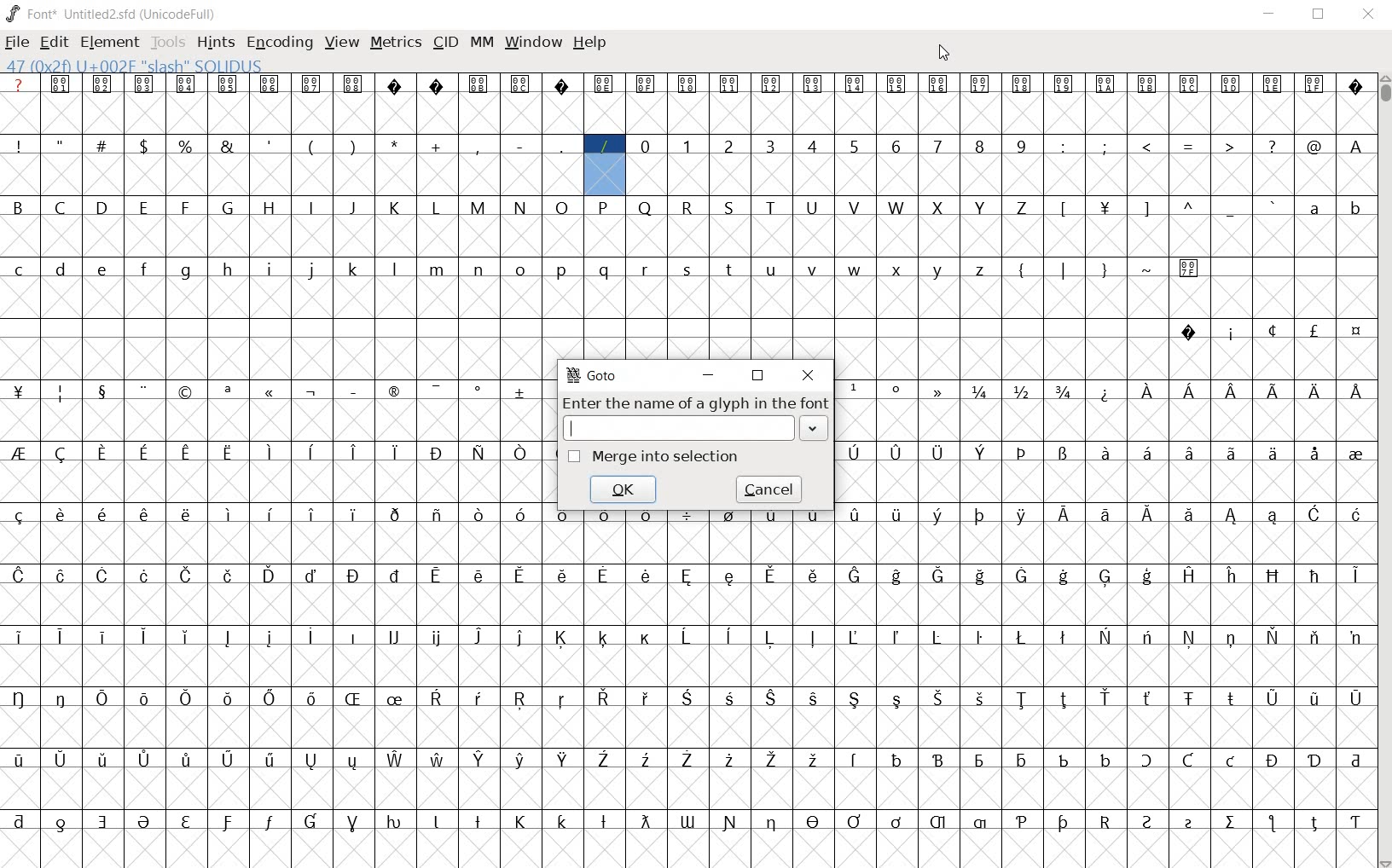 The image size is (1392, 868). What do you see at coordinates (647, 639) in the screenshot?
I see `glyph` at bounding box center [647, 639].